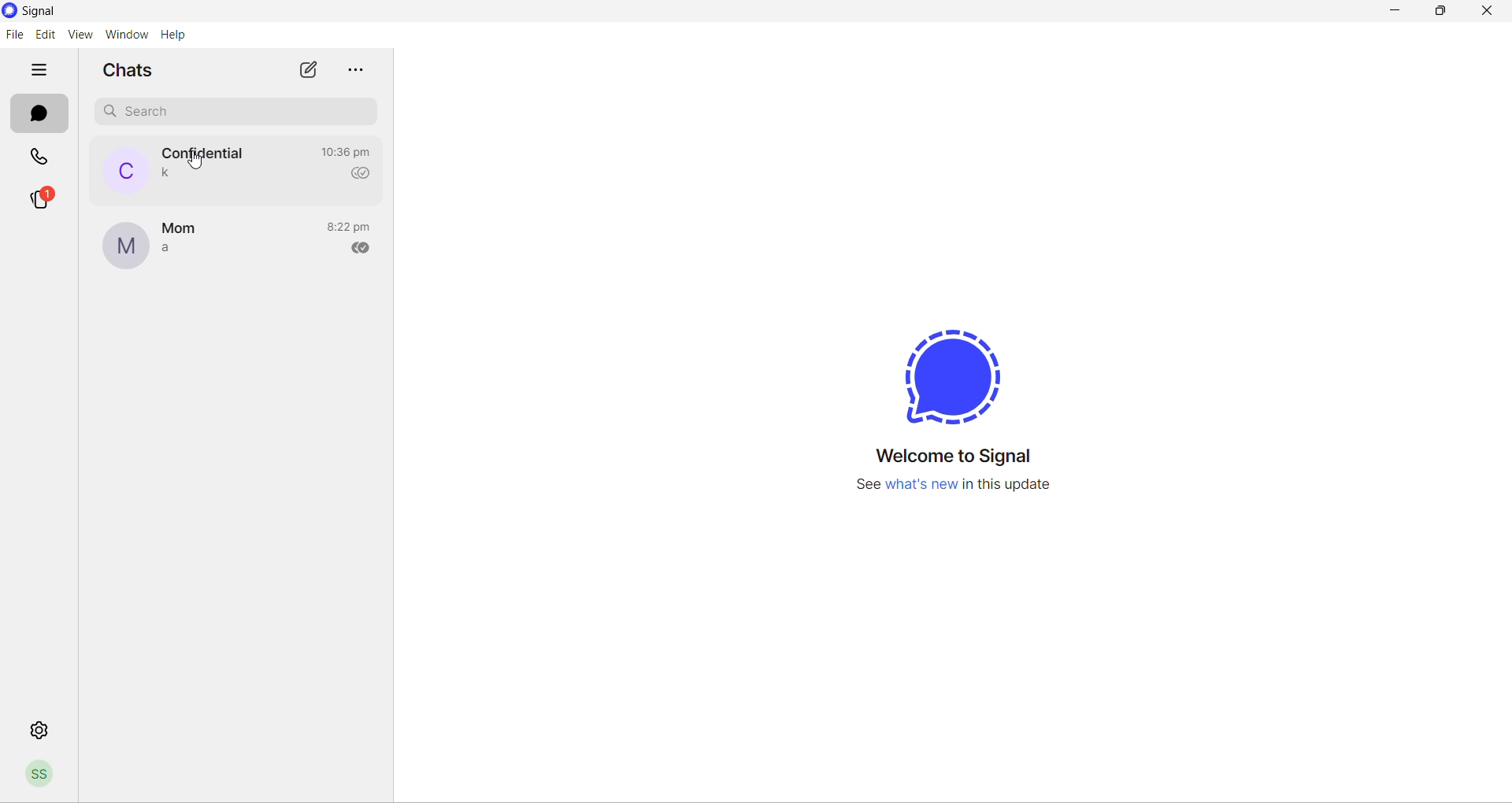  Describe the element at coordinates (350, 227) in the screenshot. I see `last message time` at that location.